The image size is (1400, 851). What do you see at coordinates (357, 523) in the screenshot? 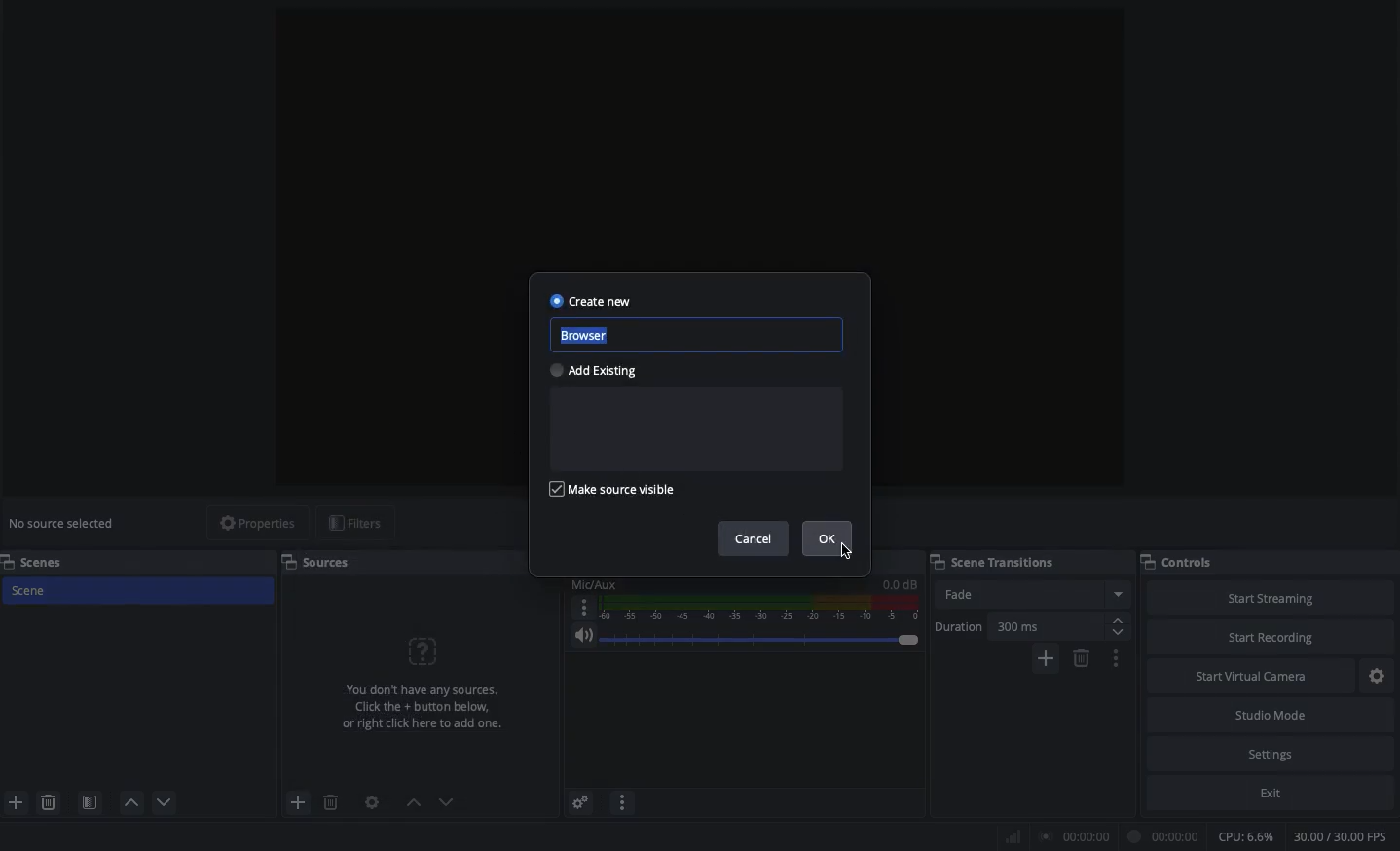
I see `Filters` at bounding box center [357, 523].